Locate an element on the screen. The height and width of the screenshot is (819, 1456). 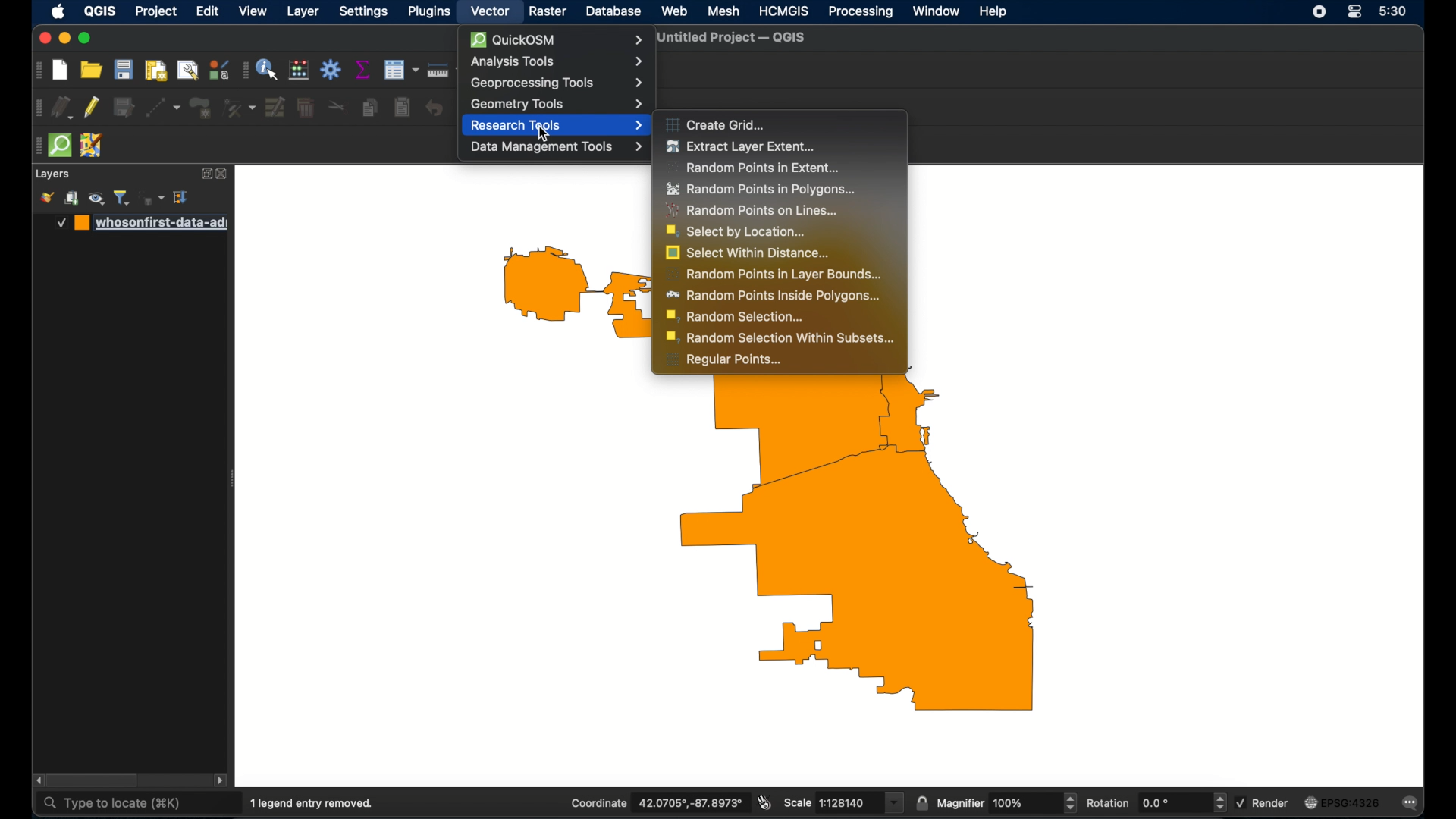
untitled project is located at coordinates (735, 37).